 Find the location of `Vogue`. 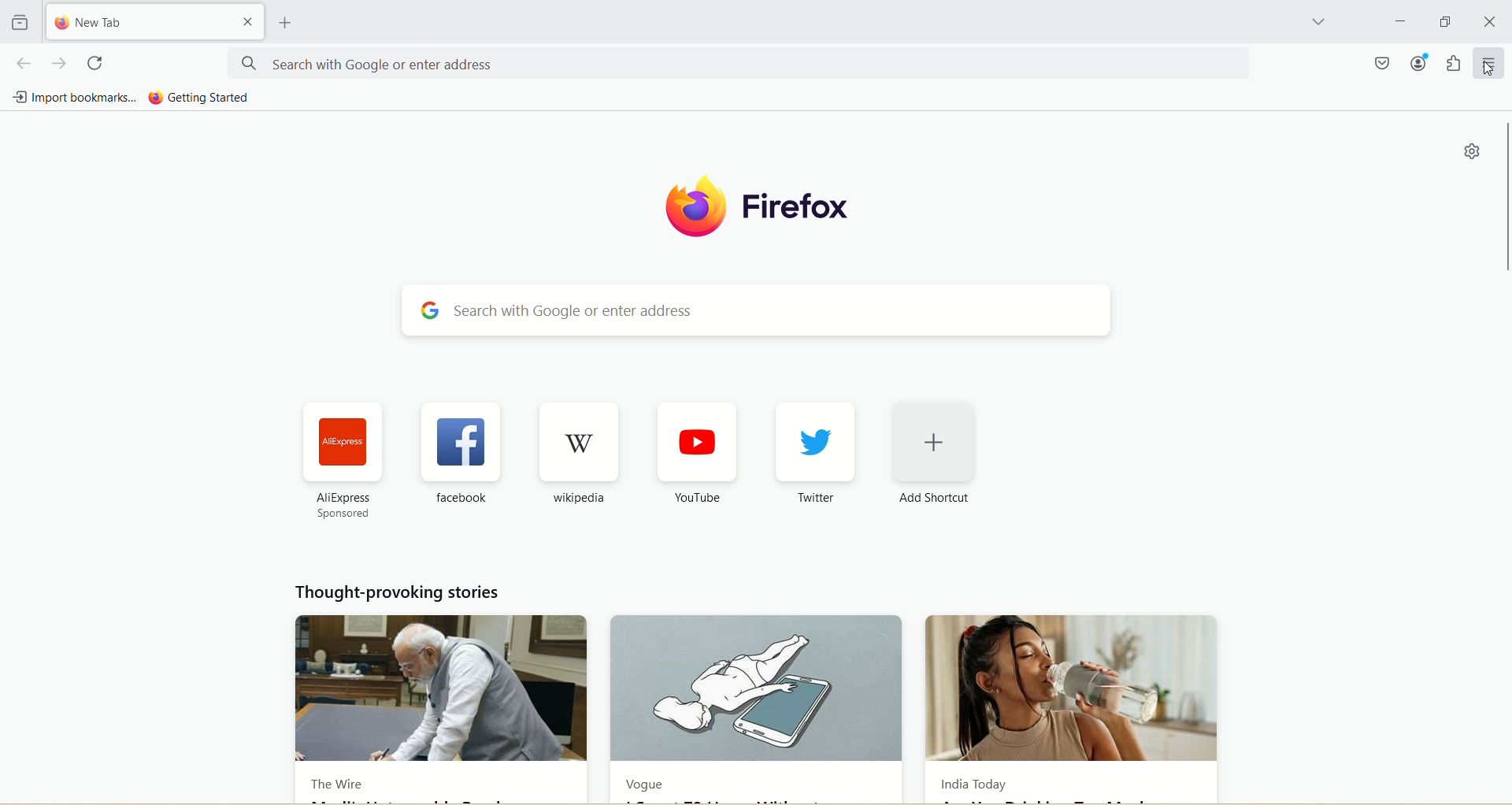

Vogue is located at coordinates (758, 689).